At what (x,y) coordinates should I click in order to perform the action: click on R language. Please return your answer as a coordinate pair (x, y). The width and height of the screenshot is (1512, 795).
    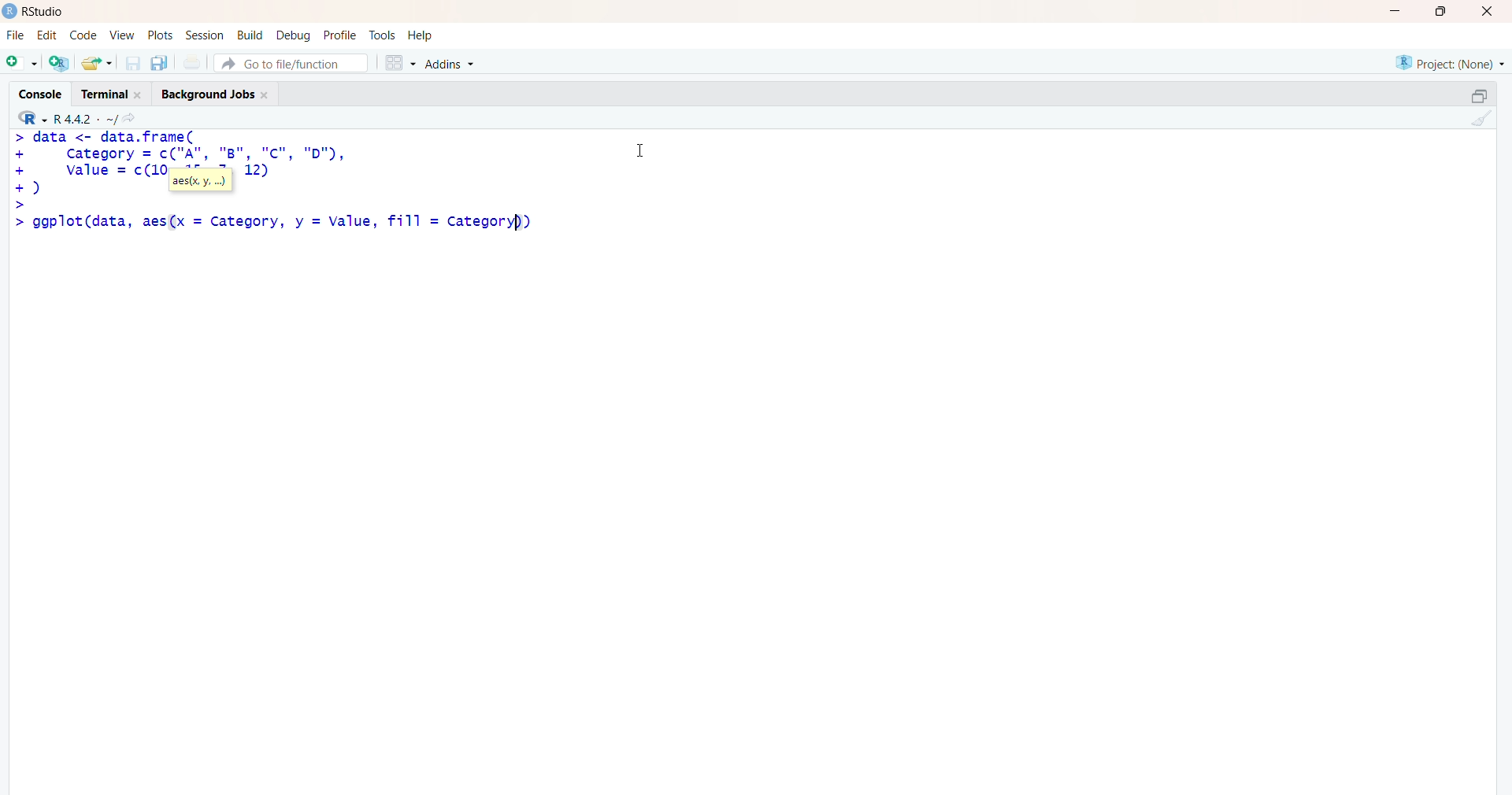
    Looking at the image, I should click on (34, 118).